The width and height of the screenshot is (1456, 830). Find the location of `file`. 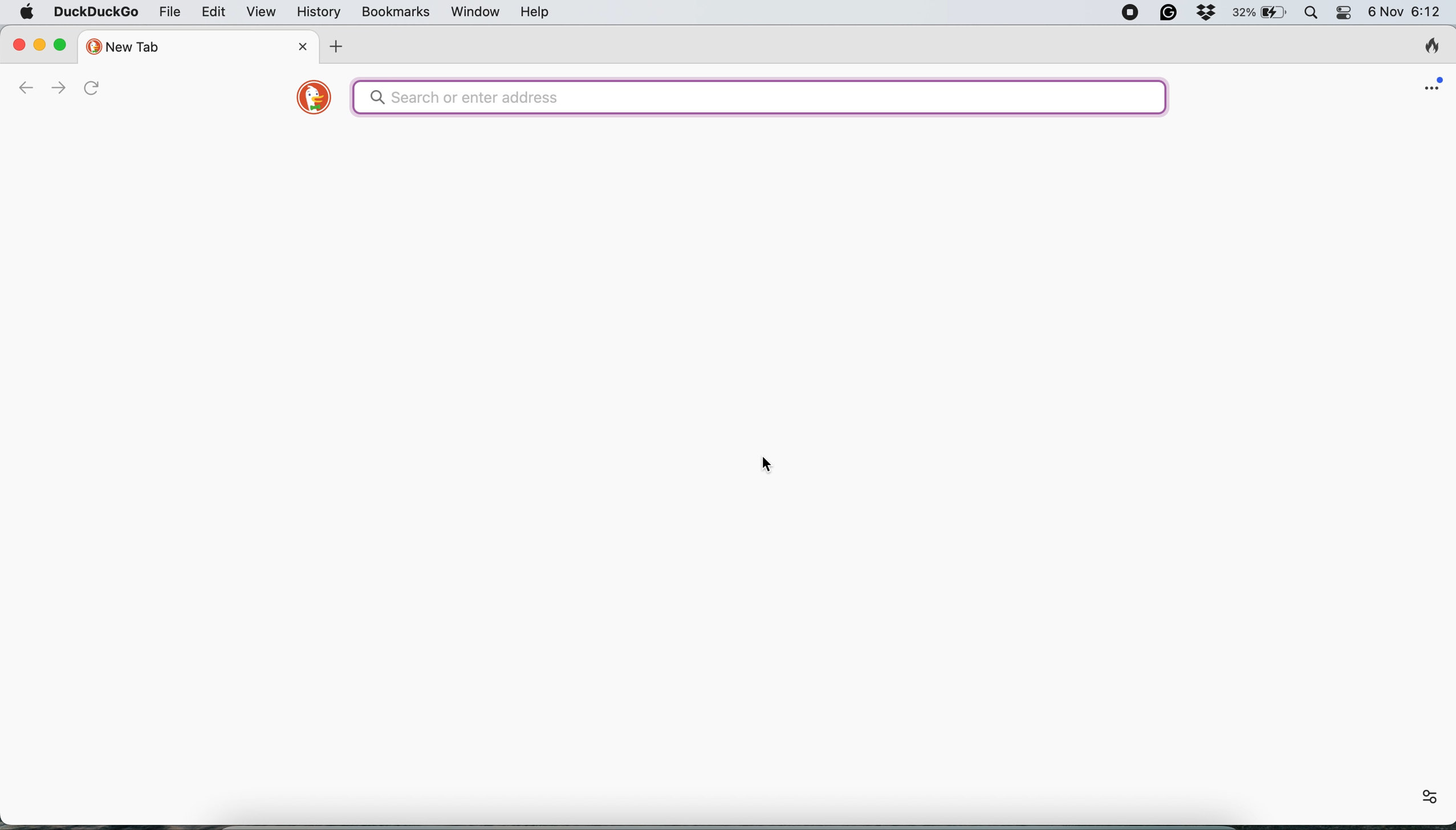

file is located at coordinates (170, 11).